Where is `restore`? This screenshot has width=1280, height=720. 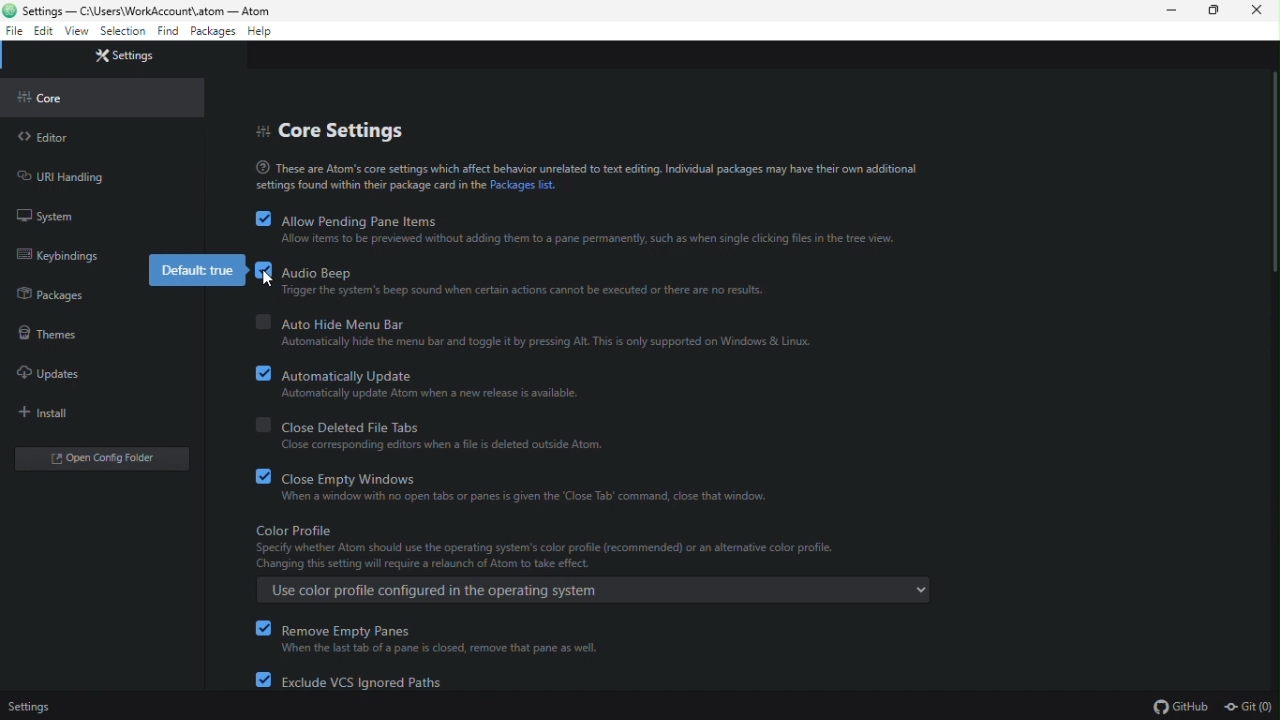 restore is located at coordinates (1216, 14).